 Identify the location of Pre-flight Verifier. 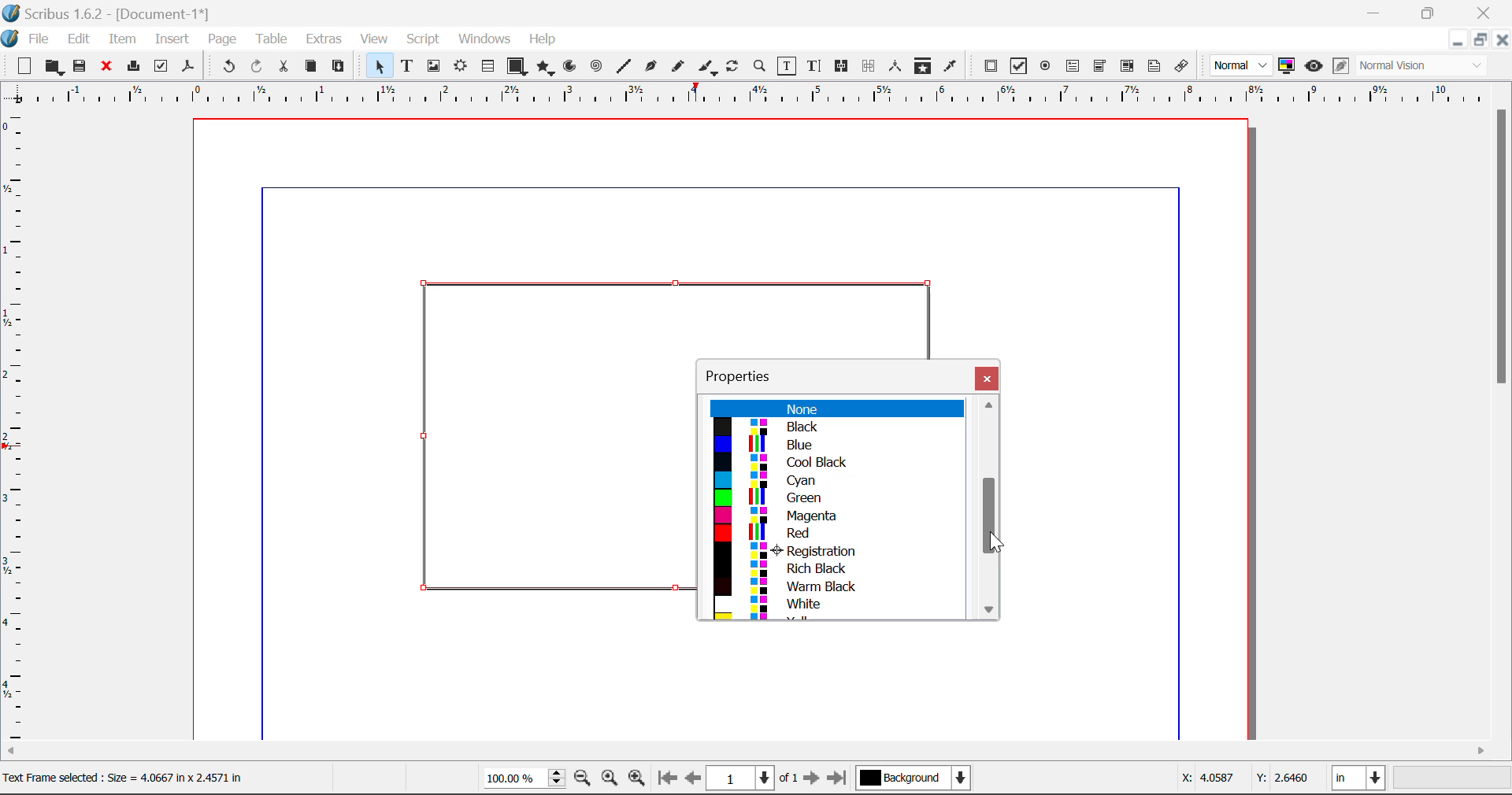
(161, 66).